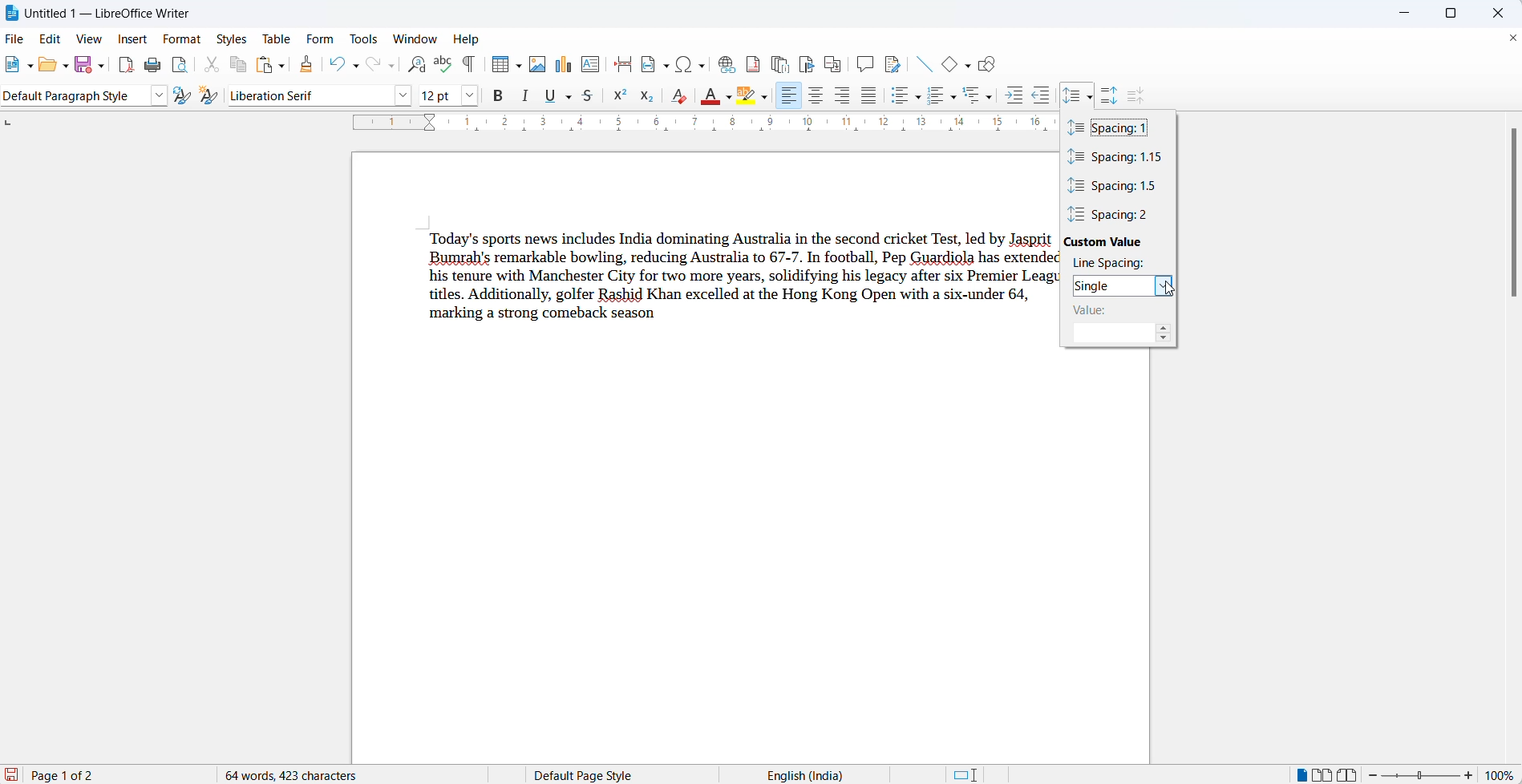  I want to click on italic, so click(526, 97).